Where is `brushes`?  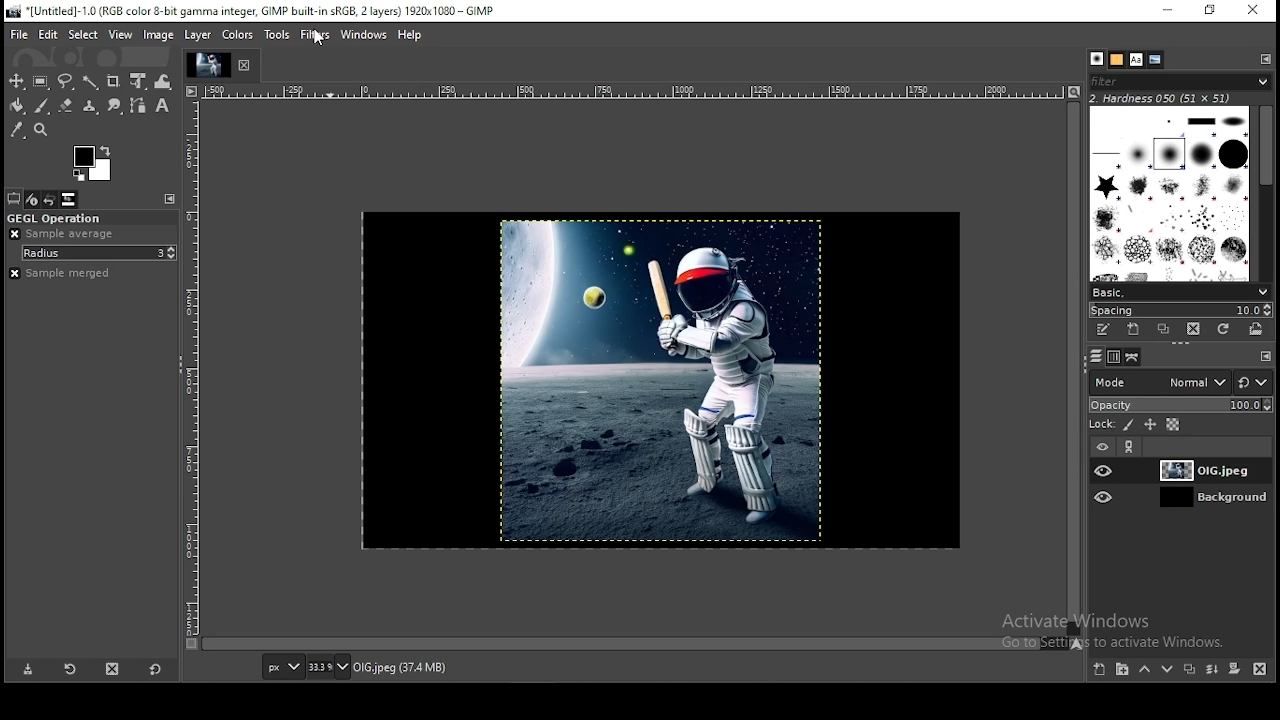
brushes is located at coordinates (1169, 194).